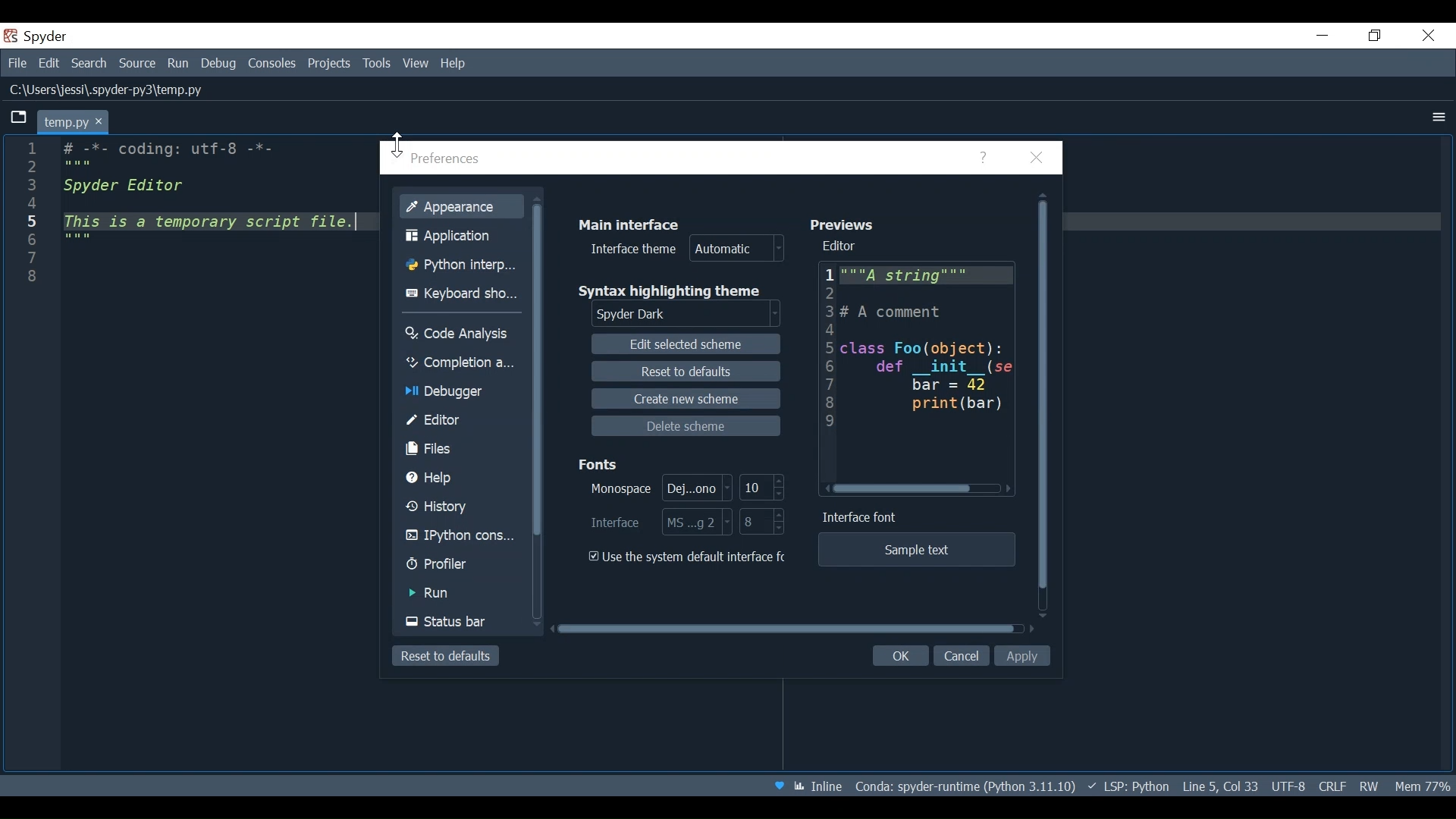 The width and height of the screenshot is (1456, 819). What do you see at coordinates (661, 488) in the screenshot?
I see `Select Monospace Fonts` at bounding box center [661, 488].